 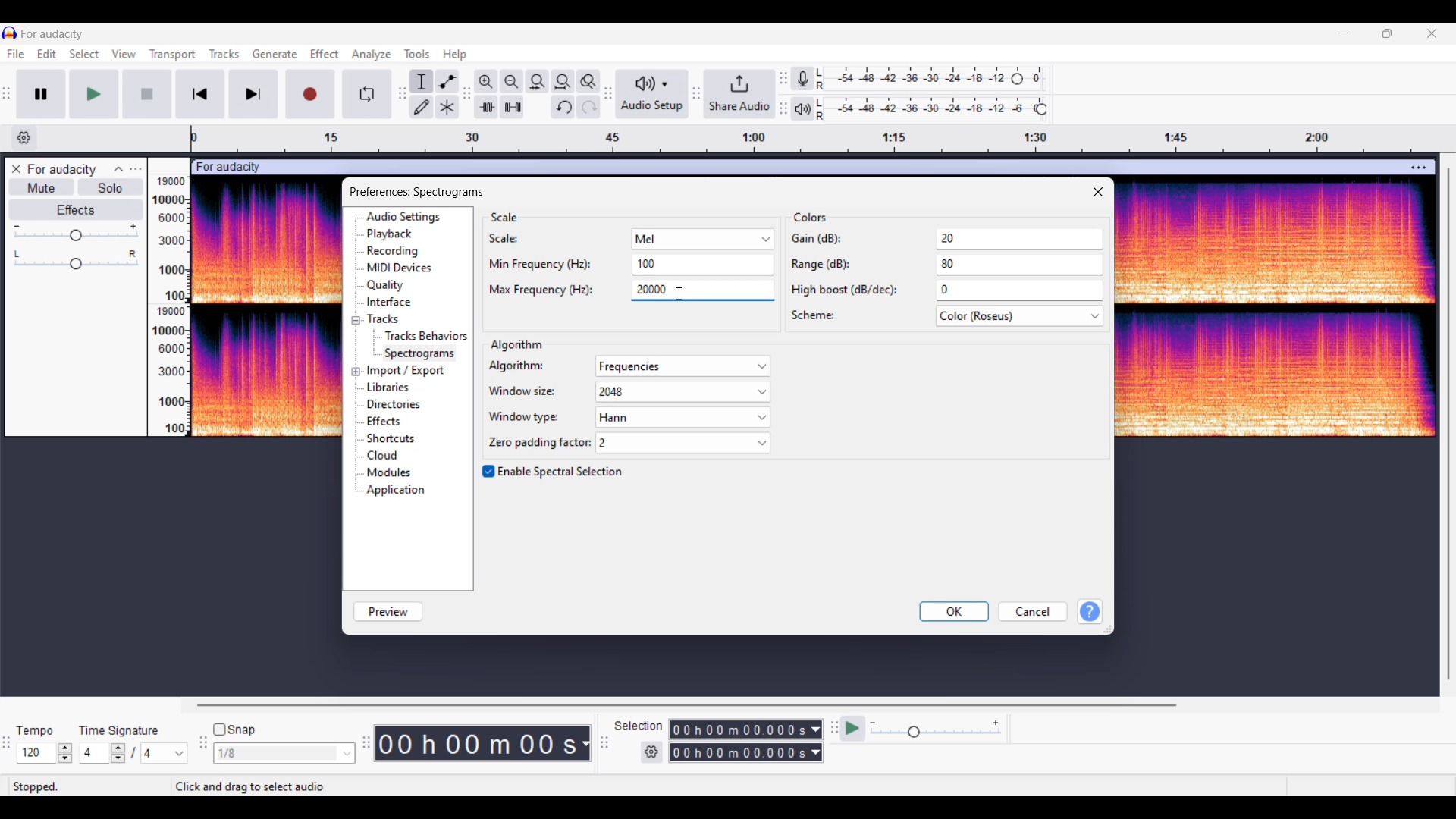 I want to click on Get help, so click(x=1090, y=611).